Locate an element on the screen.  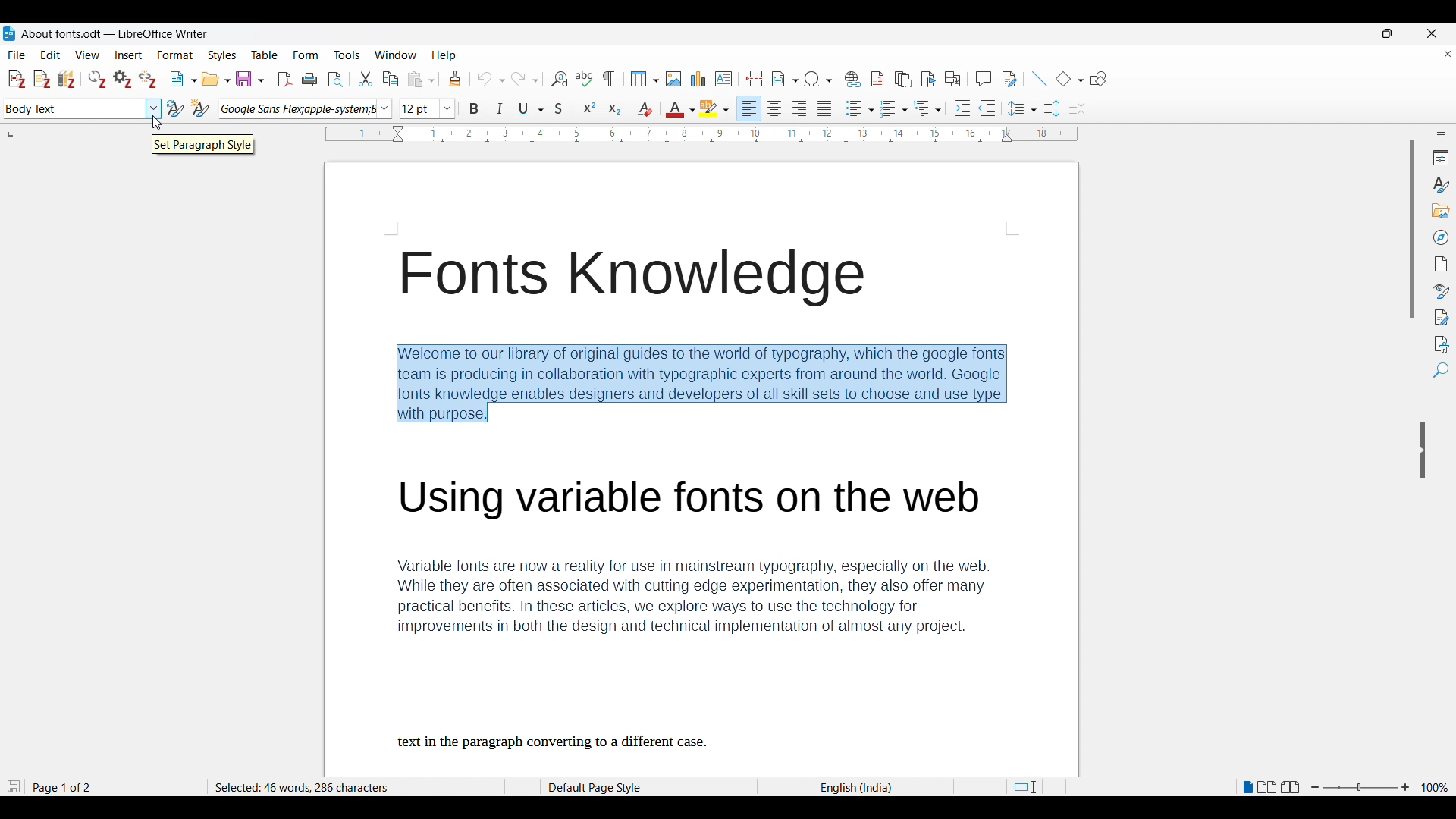
Insert footnote is located at coordinates (877, 79).